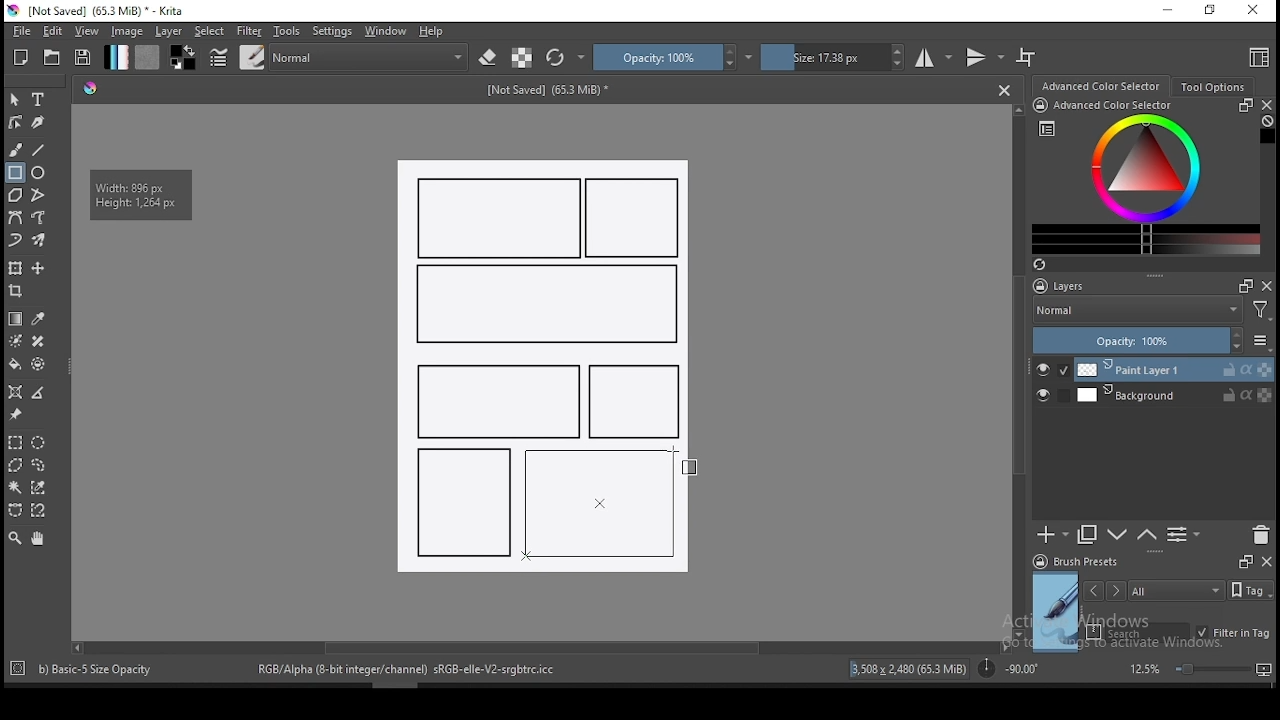 The height and width of the screenshot is (720, 1280). What do you see at coordinates (1233, 634) in the screenshot?
I see `filter in tag` at bounding box center [1233, 634].